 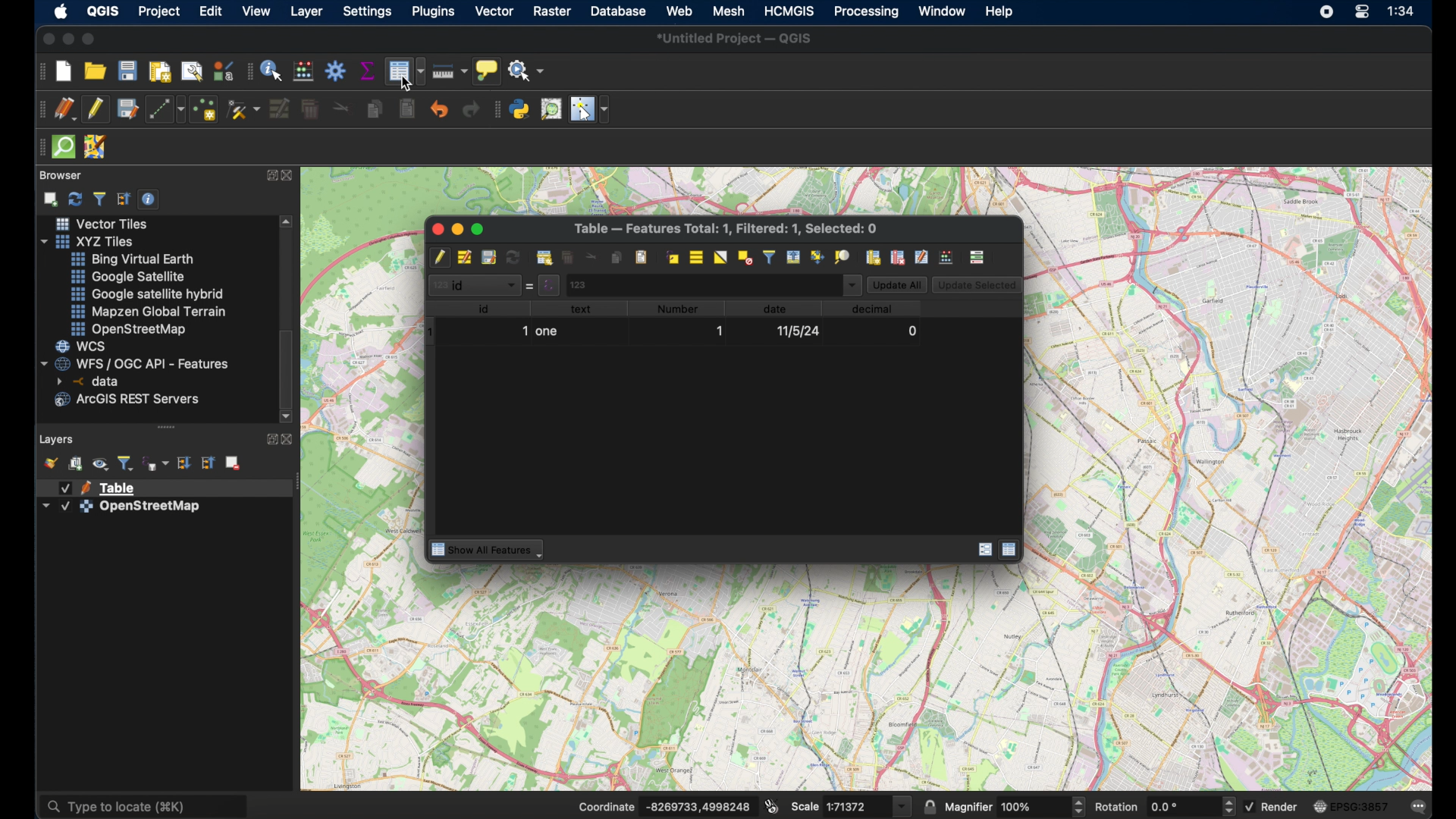 What do you see at coordinates (720, 257) in the screenshot?
I see `invert selection` at bounding box center [720, 257].